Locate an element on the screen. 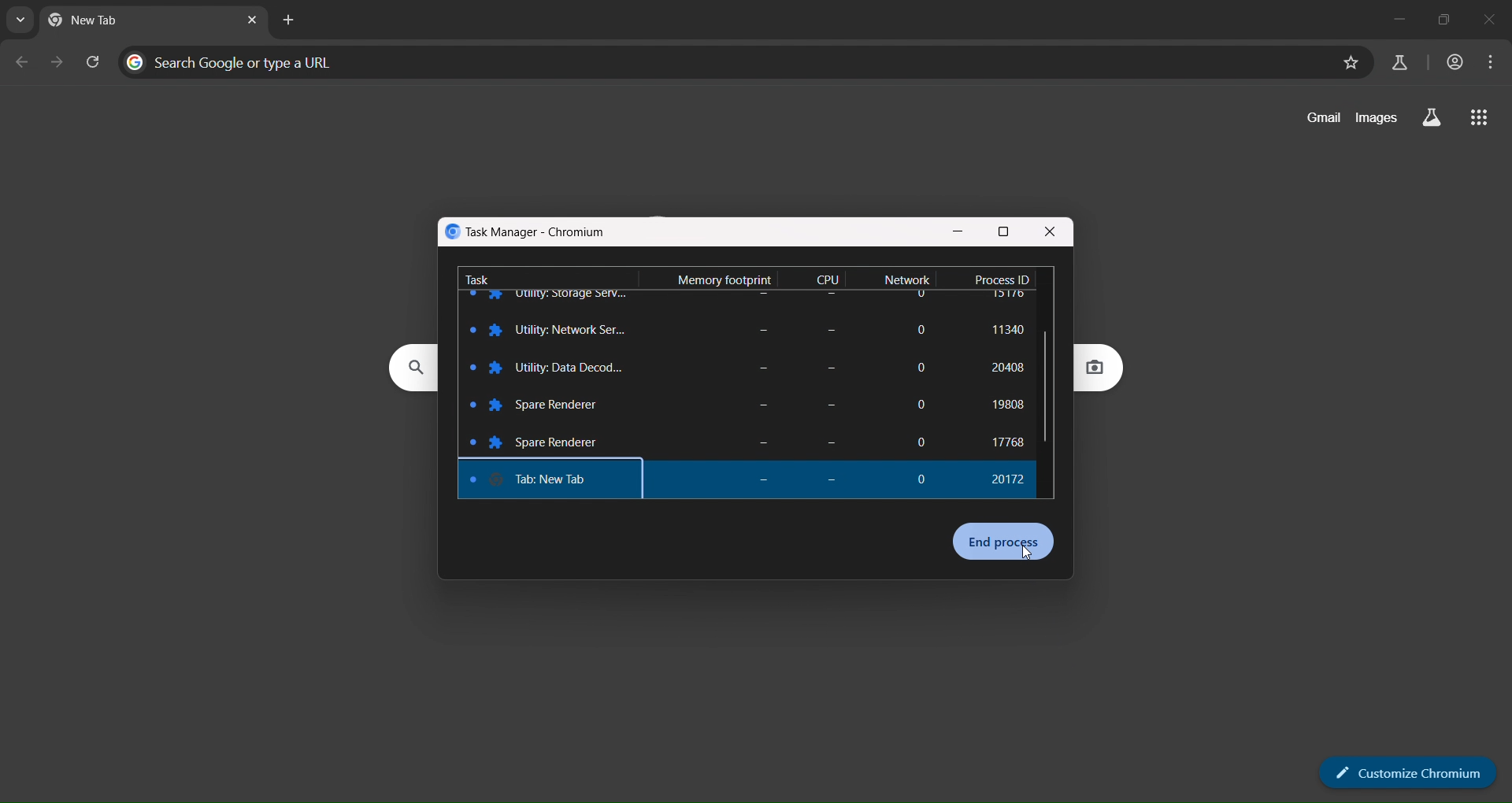 The height and width of the screenshot is (803, 1512). reload page is located at coordinates (95, 61).